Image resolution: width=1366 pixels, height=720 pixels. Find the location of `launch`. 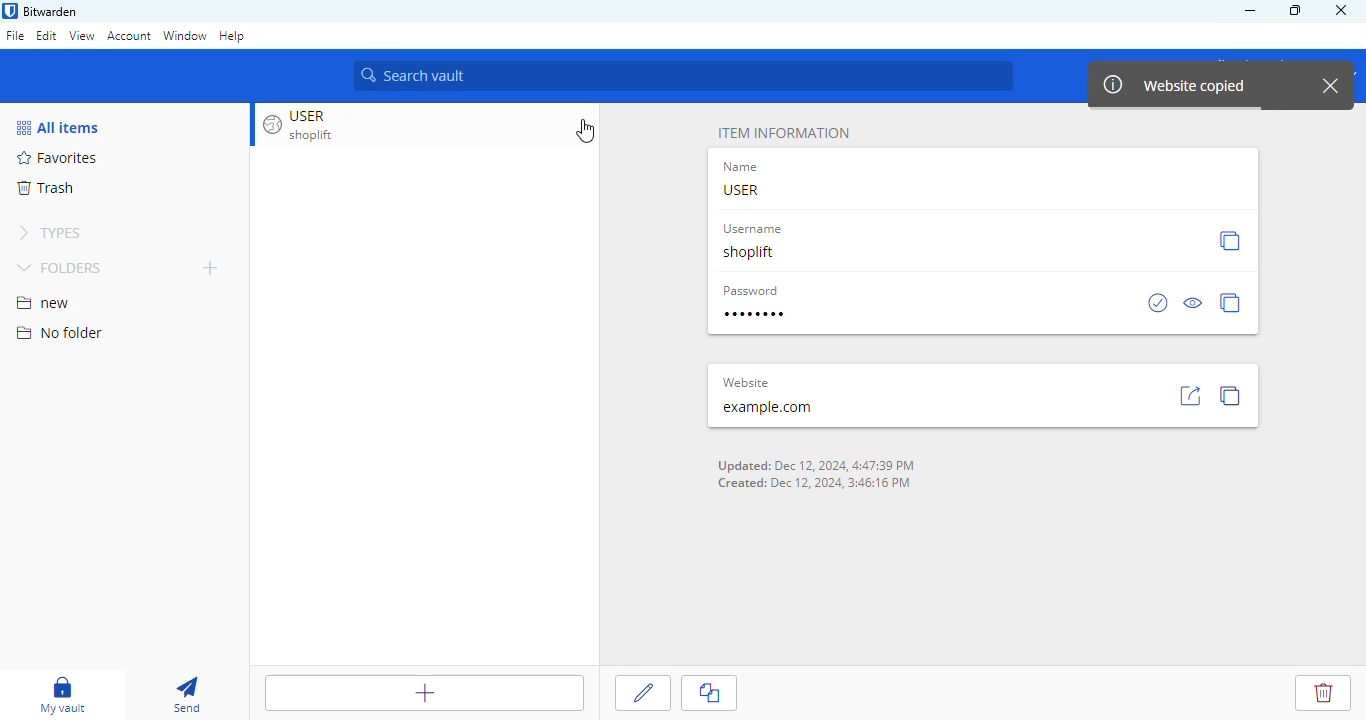

launch is located at coordinates (1190, 395).